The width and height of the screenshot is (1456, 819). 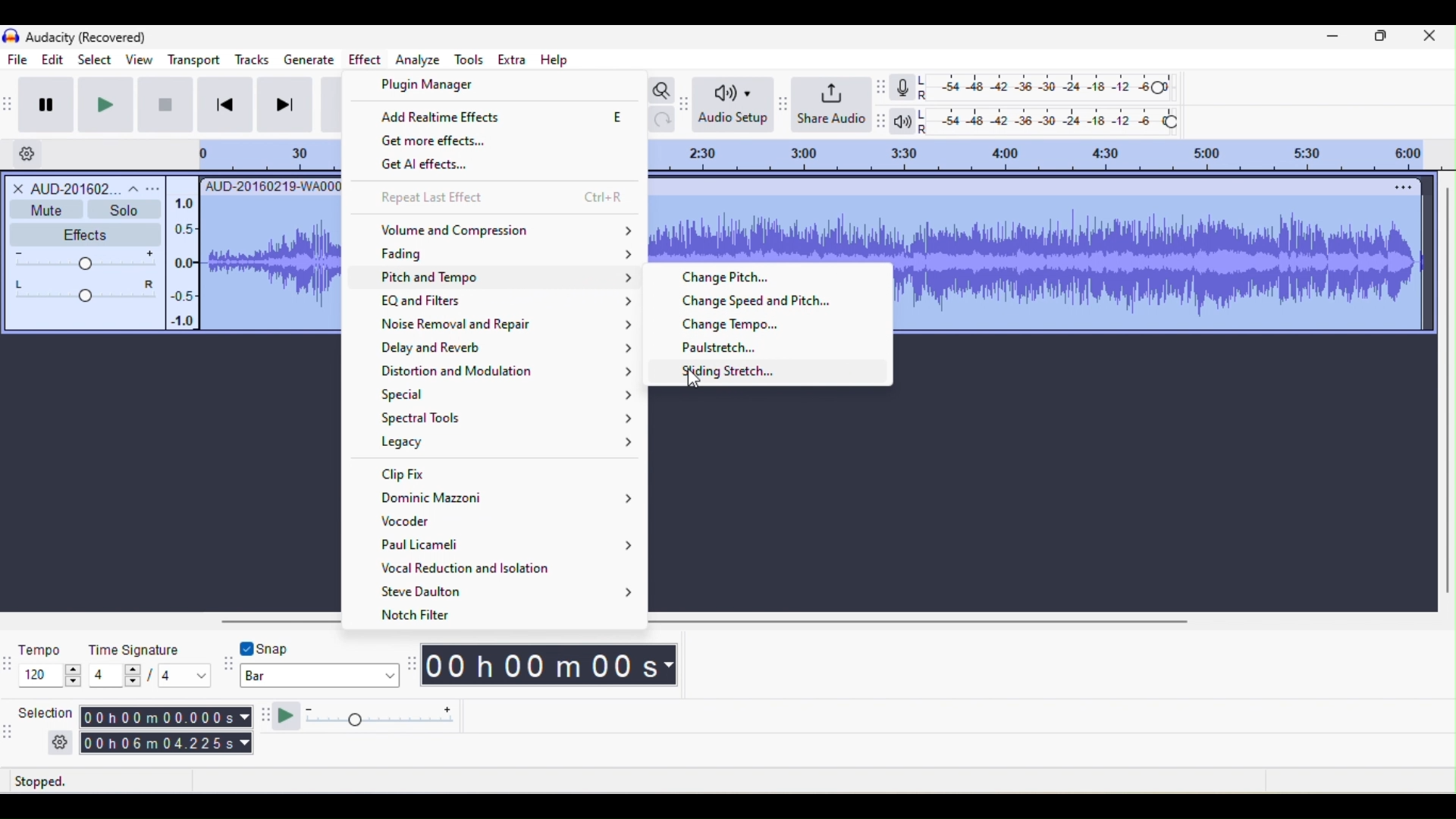 I want to click on Scale, so click(x=180, y=259).